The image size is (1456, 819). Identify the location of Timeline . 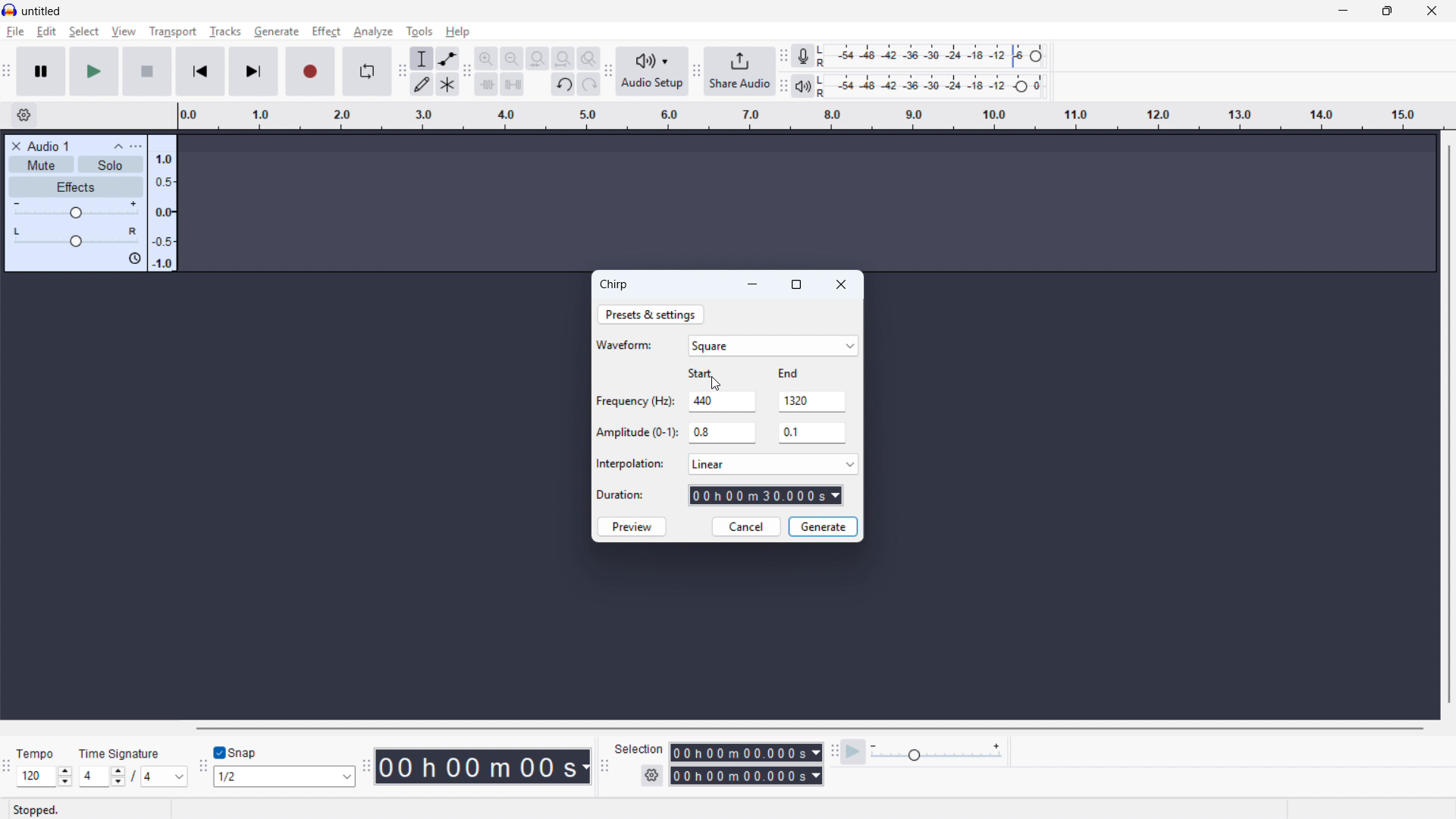
(810, 116).